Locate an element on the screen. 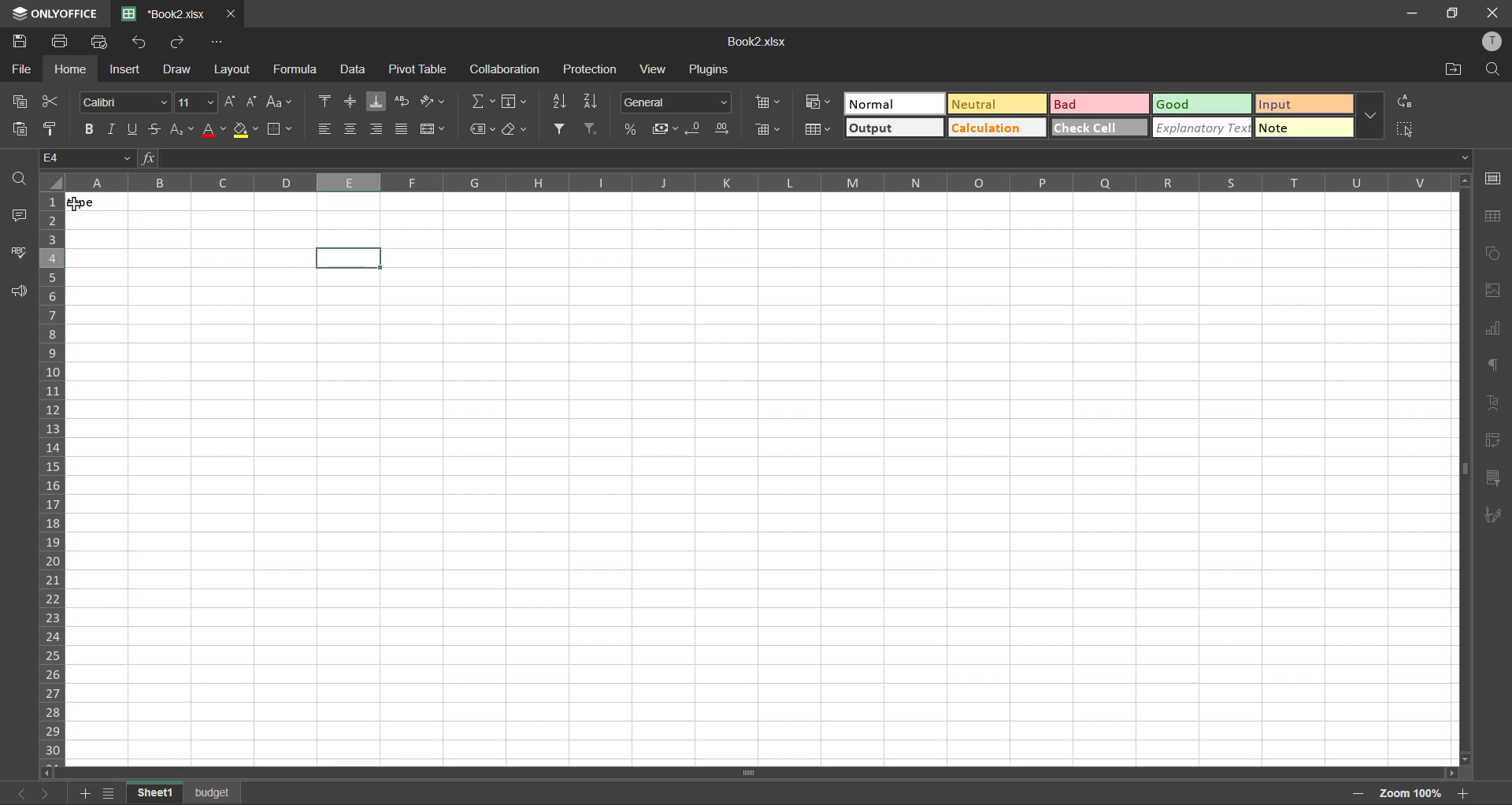 The height and width of the screenshot is (805, 1512). zoom factor is located at coordinates (1411, 792).